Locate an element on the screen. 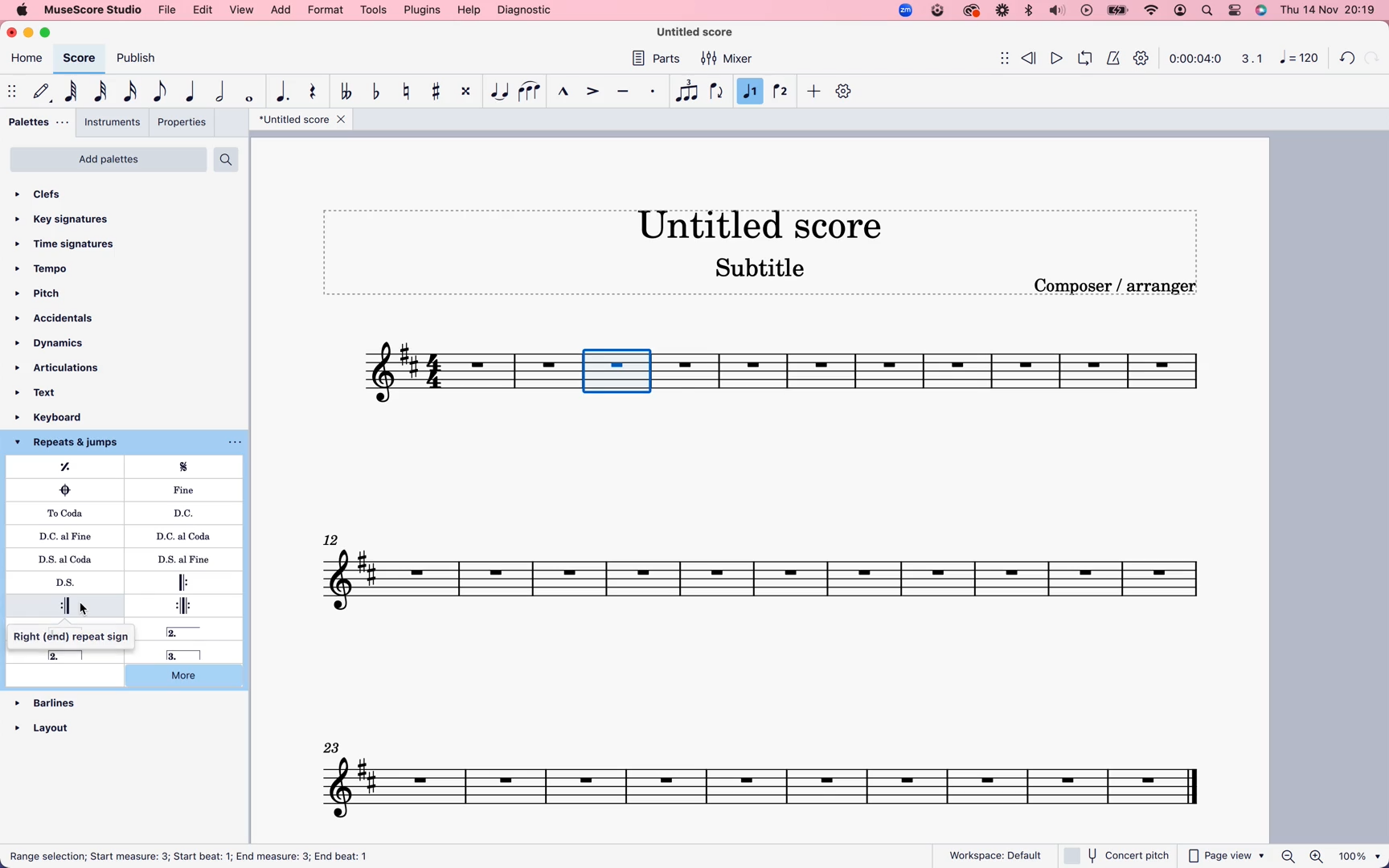  back is located at coordinates (1349, 55).